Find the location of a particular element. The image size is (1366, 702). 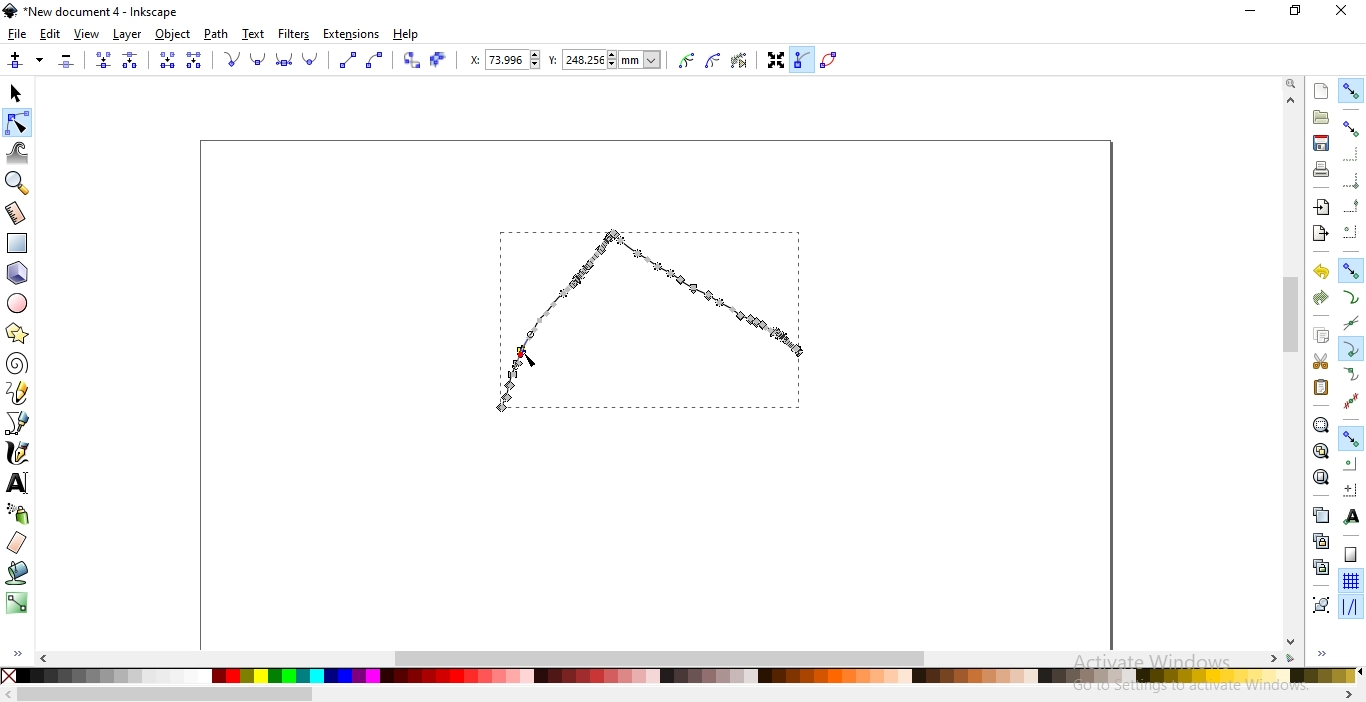

erase existing paths is located at coordinates (17, 542).